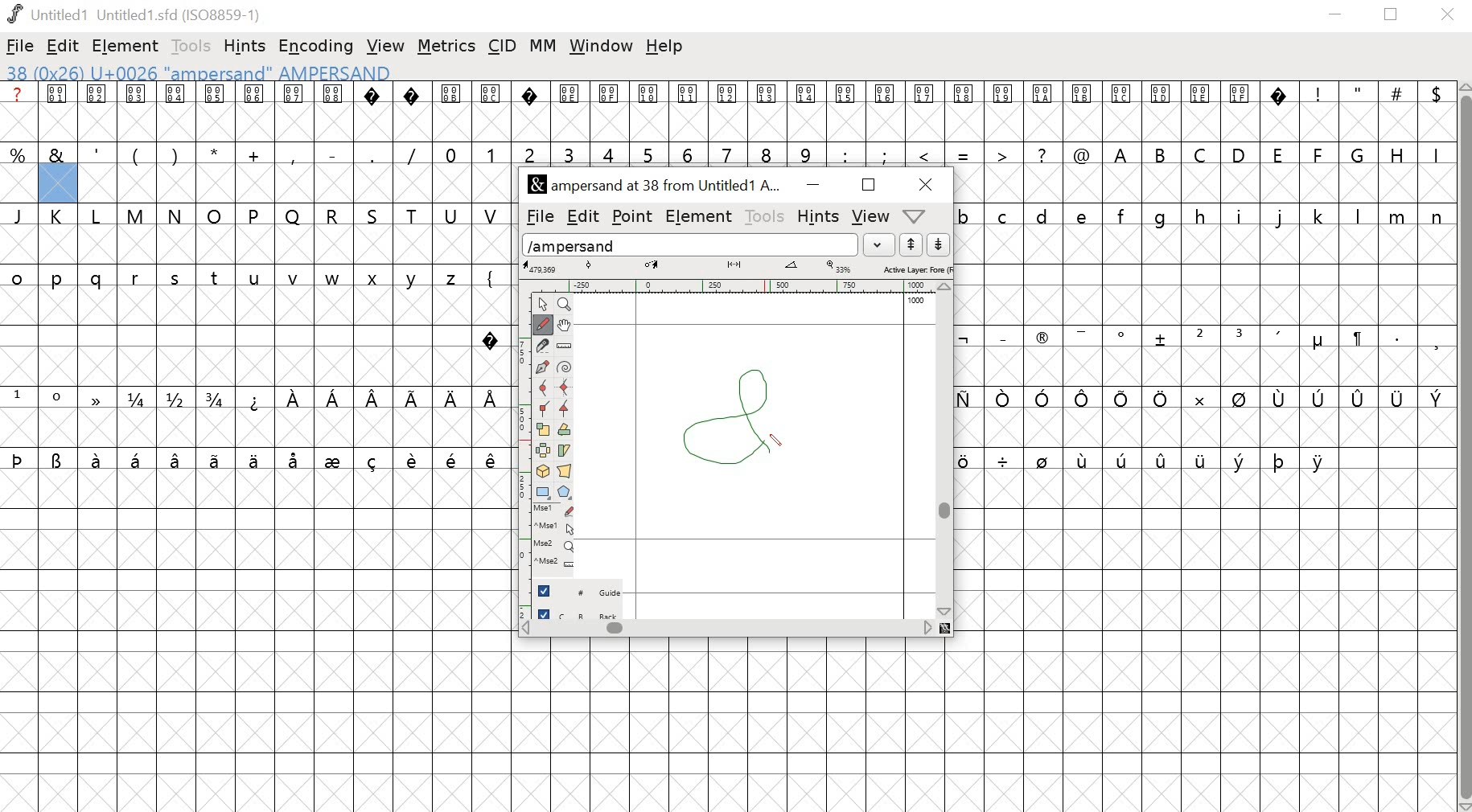 The height and width of the screenshot is (812, 1472). What do you see at coordinates (1318, 111) in the screenshot?
I see `!` at bounding box center [1318, 111].